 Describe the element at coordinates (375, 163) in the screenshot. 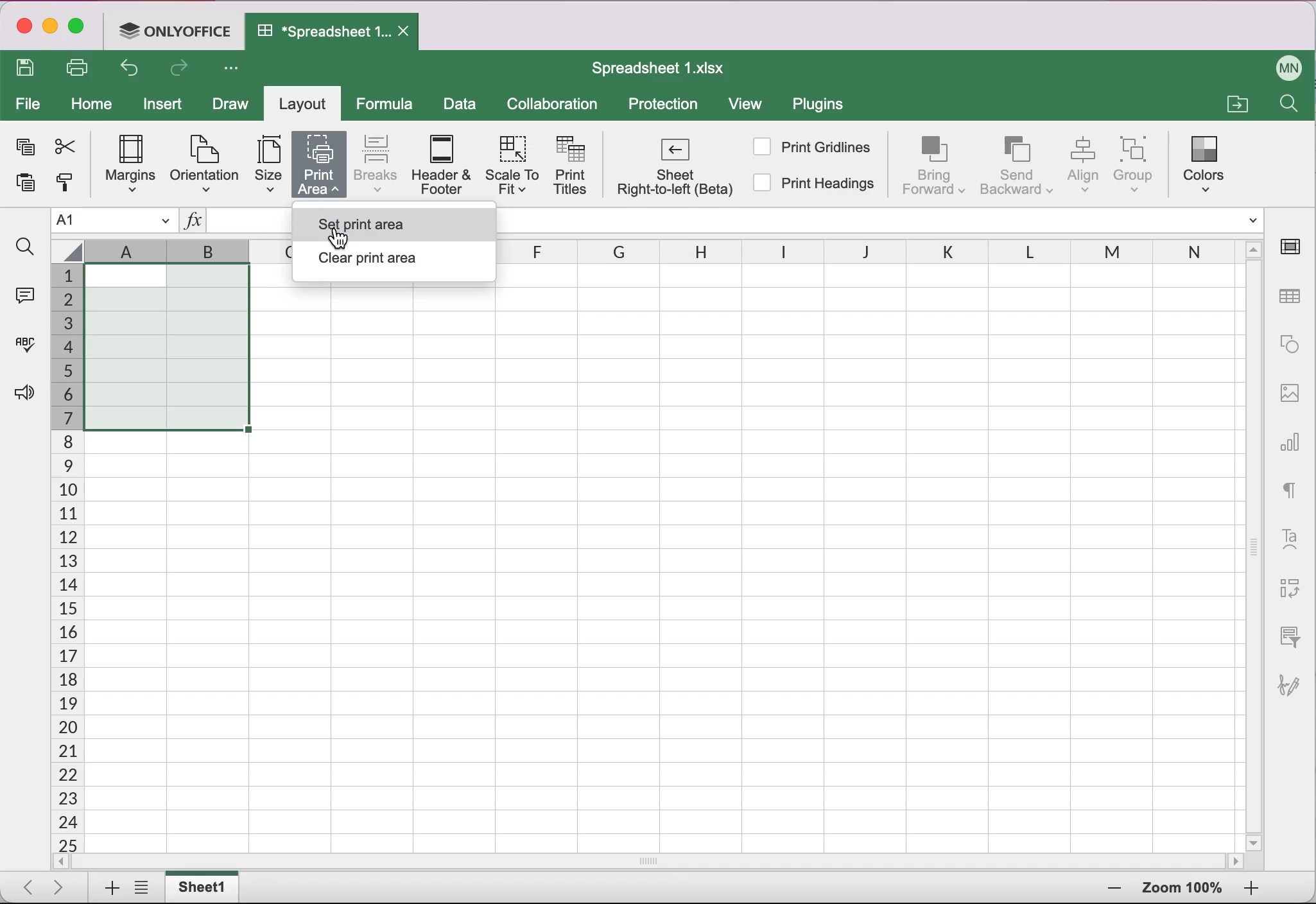

I see `Breaks` at that location.